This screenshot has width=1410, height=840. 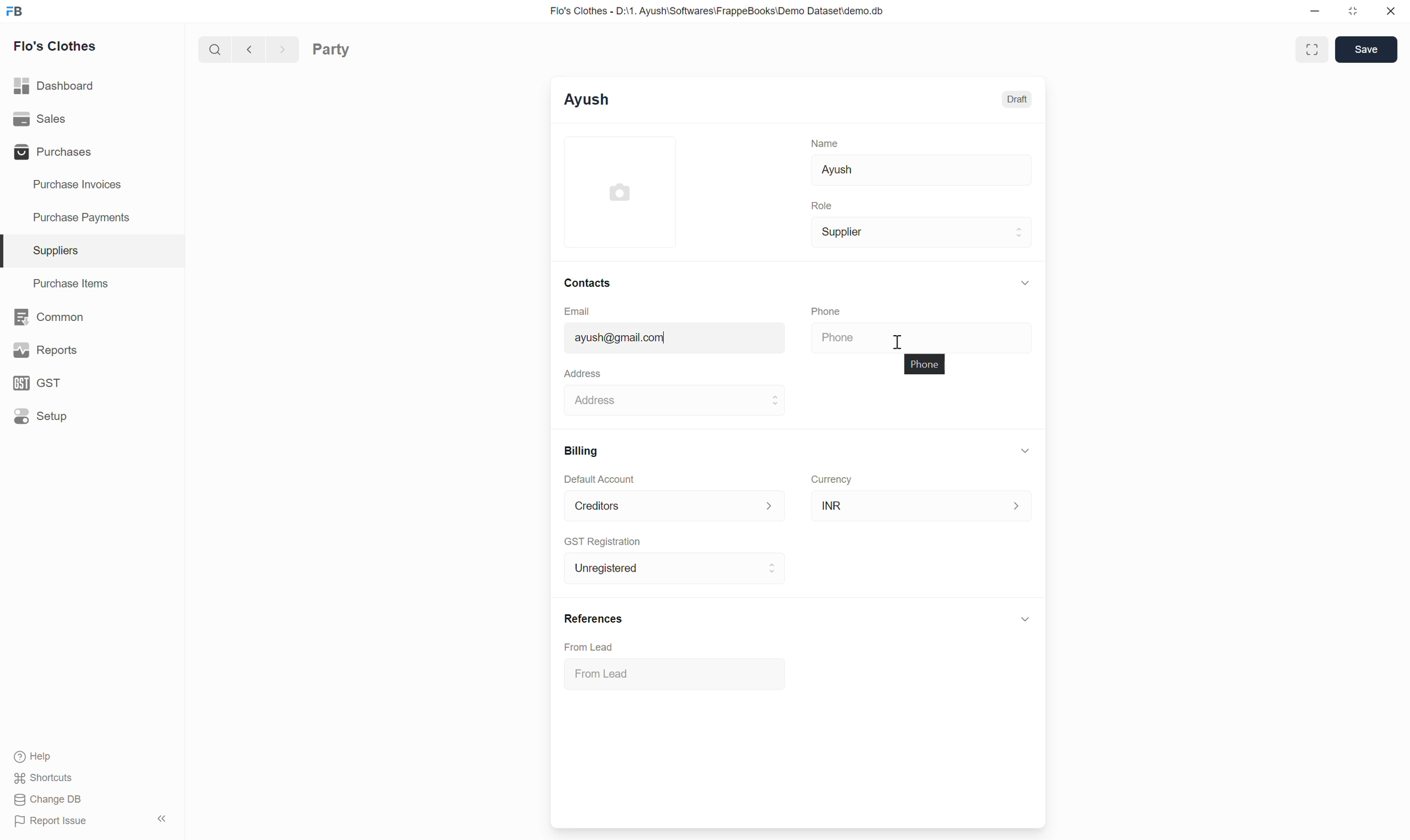 I want to click on Purchase Payments, so click(x=92, y=218).